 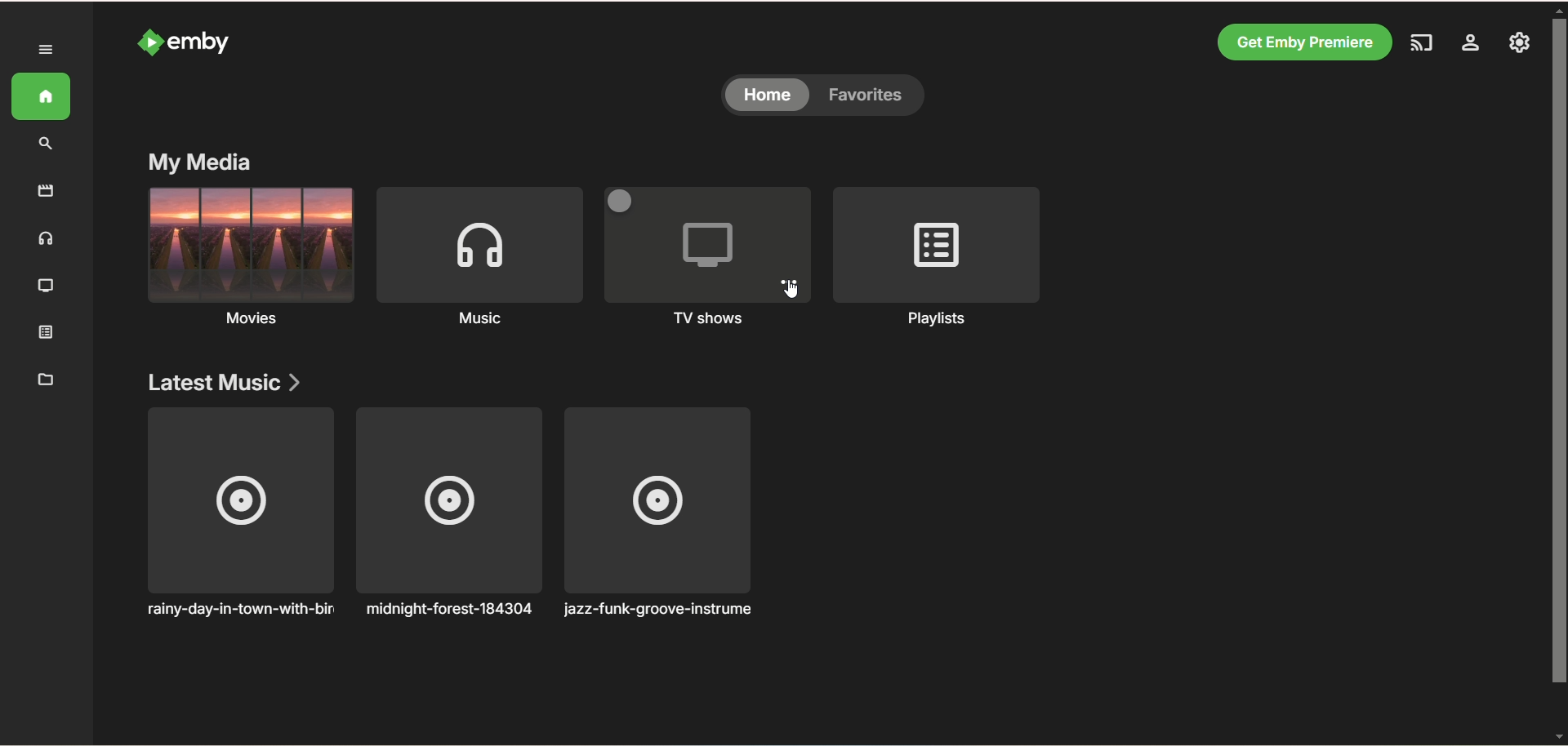 What do you see at coordinates (1419, 45) in the screenshot?
I see `play on another device` at bounding box center [1419, 45].